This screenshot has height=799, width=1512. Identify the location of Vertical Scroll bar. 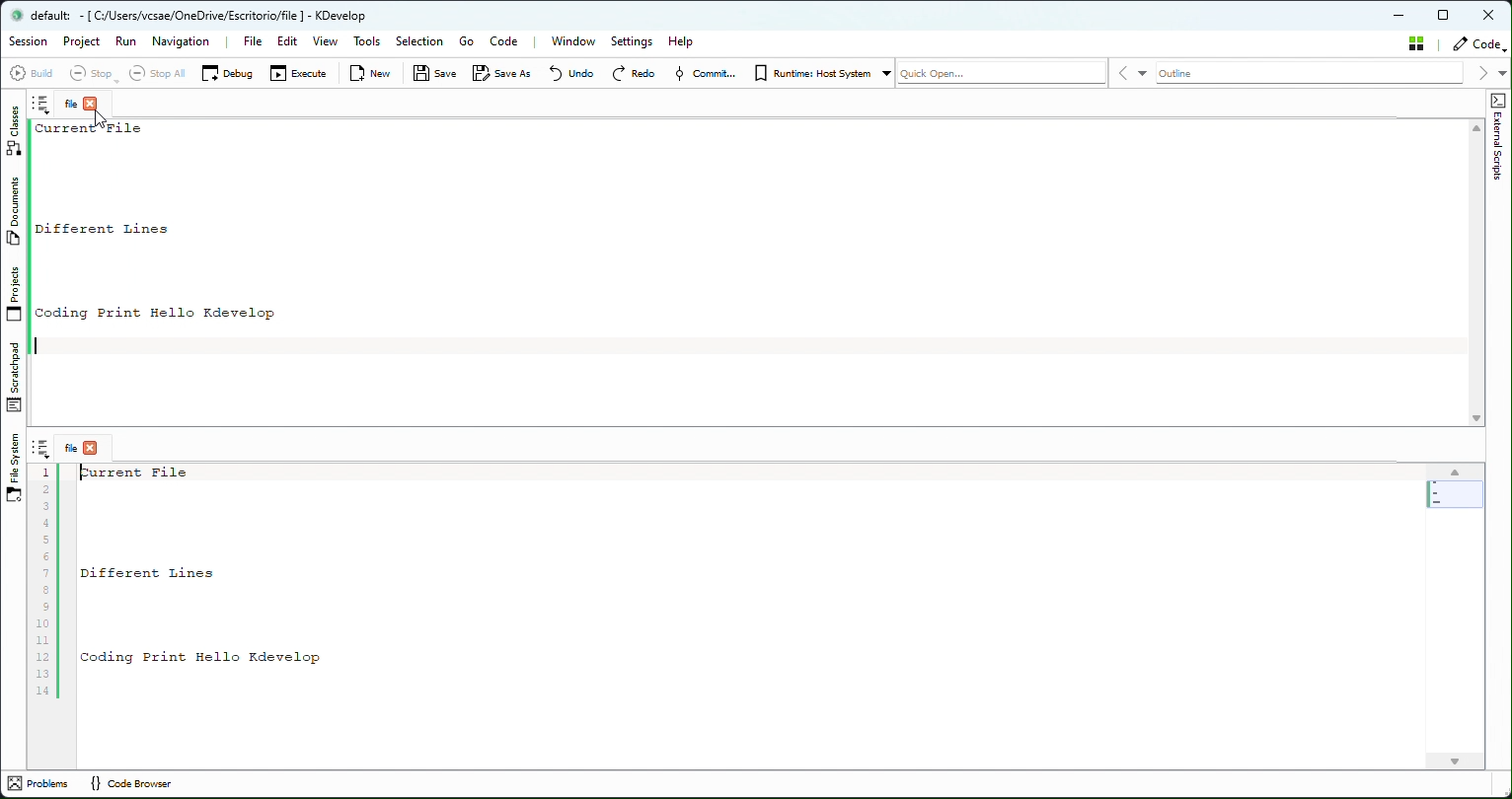
(1457, 495).